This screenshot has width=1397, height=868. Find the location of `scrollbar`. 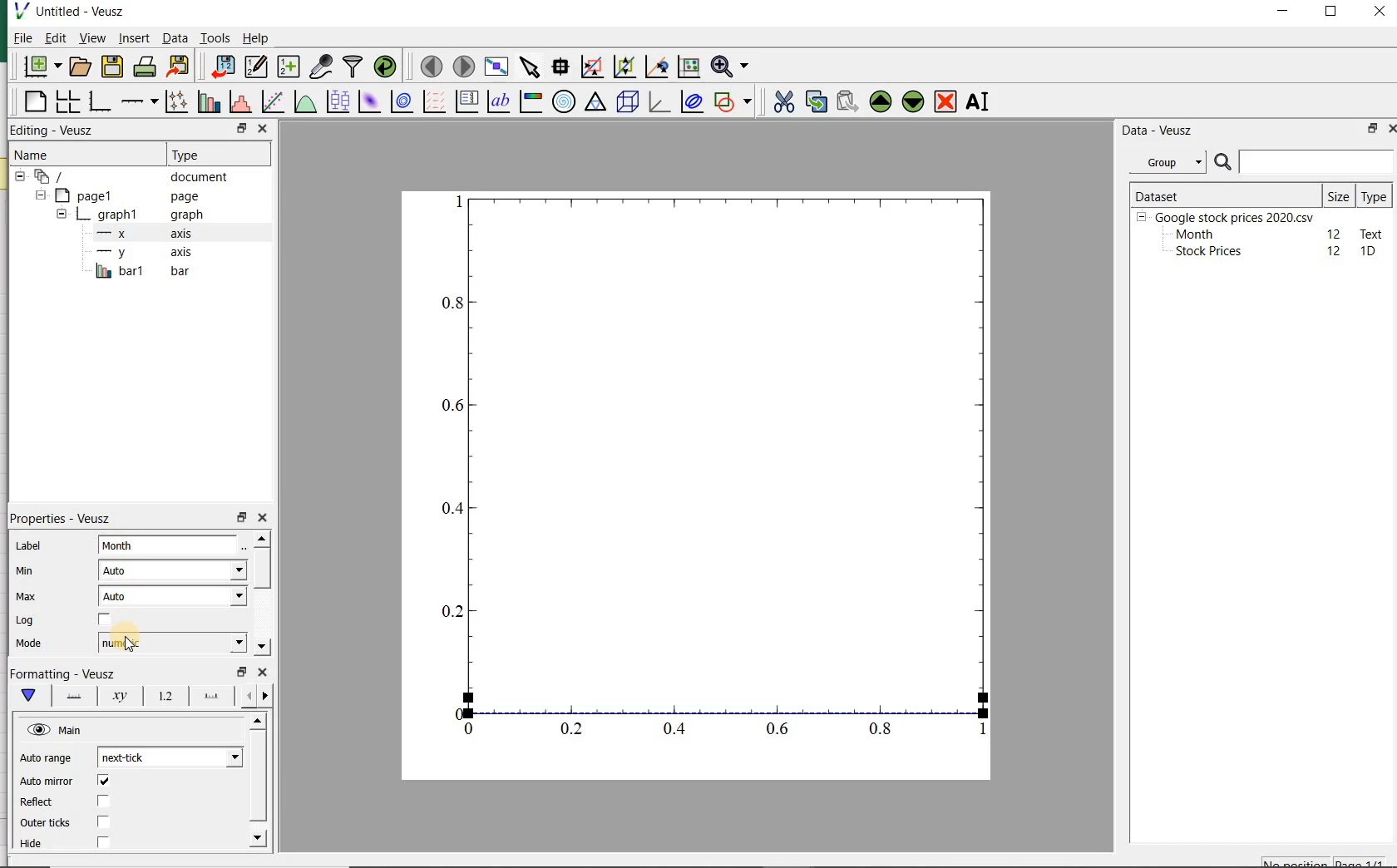

scrollbar is located at coordinates (261, 594).